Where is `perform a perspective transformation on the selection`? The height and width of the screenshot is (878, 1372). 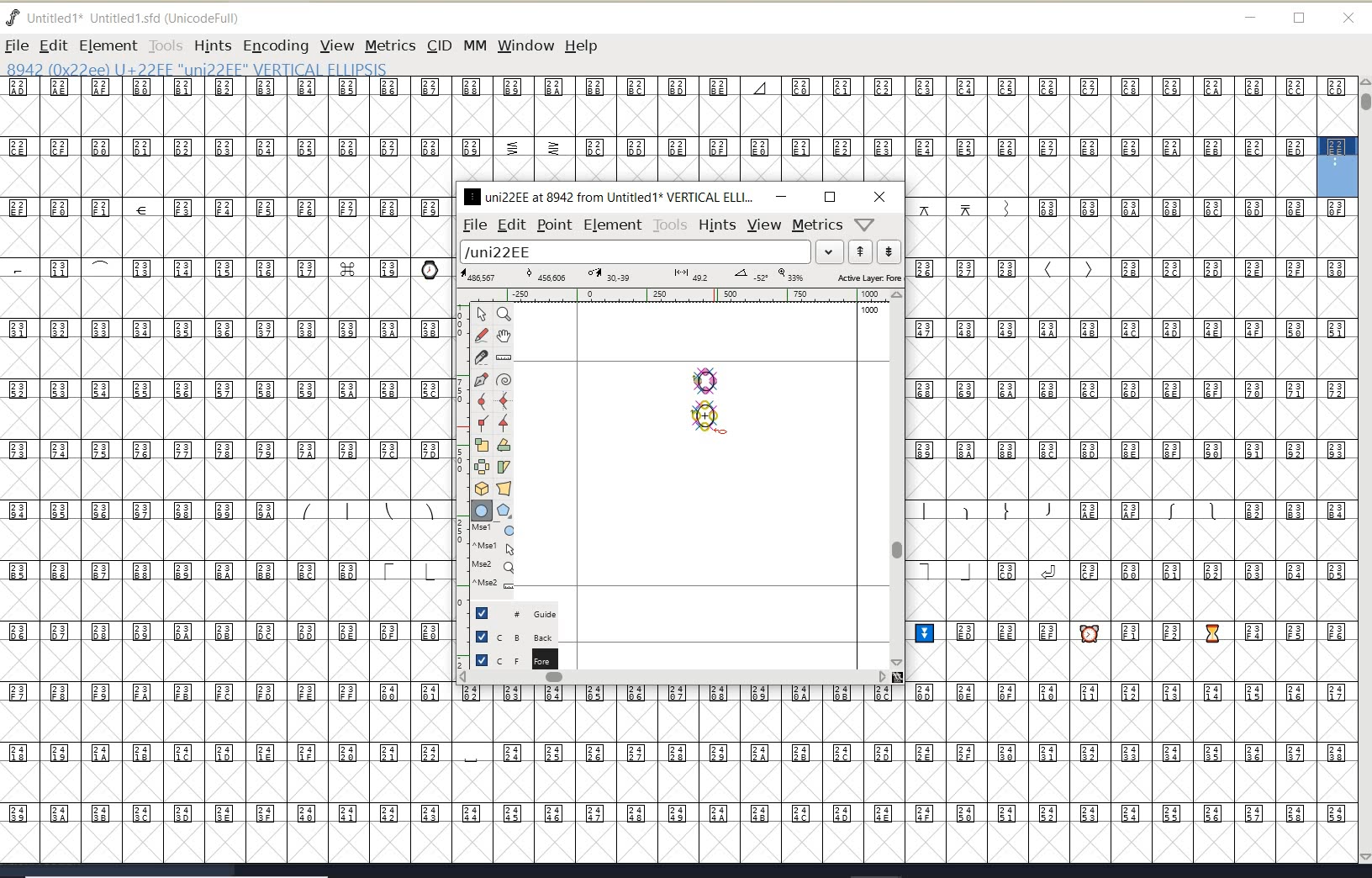
perform a perspective transformation on the selection is located at coordinates (504, 488).